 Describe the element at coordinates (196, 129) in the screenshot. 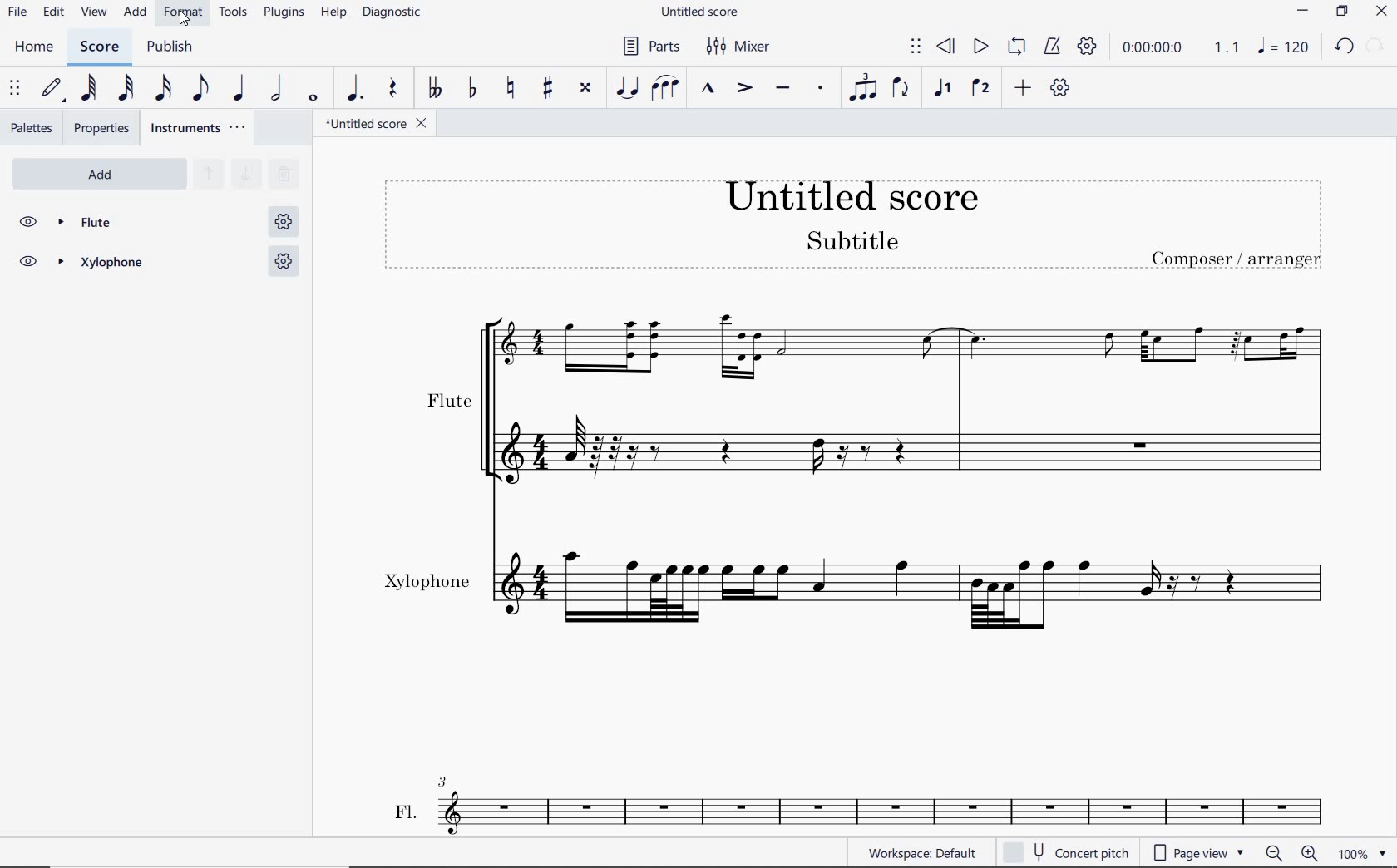

I see `INSTRUMENTS` at that location.